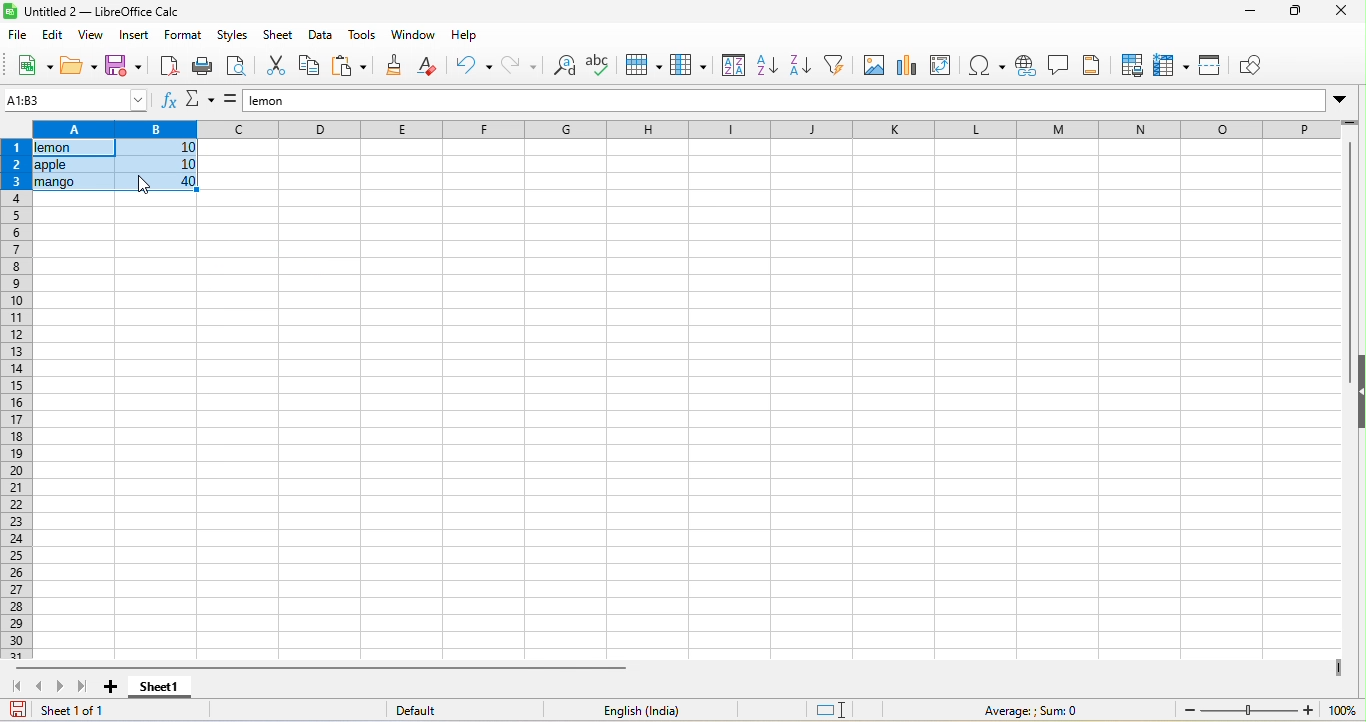 The height and width of the screenshot is (722, 1366). Describe the element at coordinates (168, 65) in the screenshot. I see `export directly as pdf` at that location.